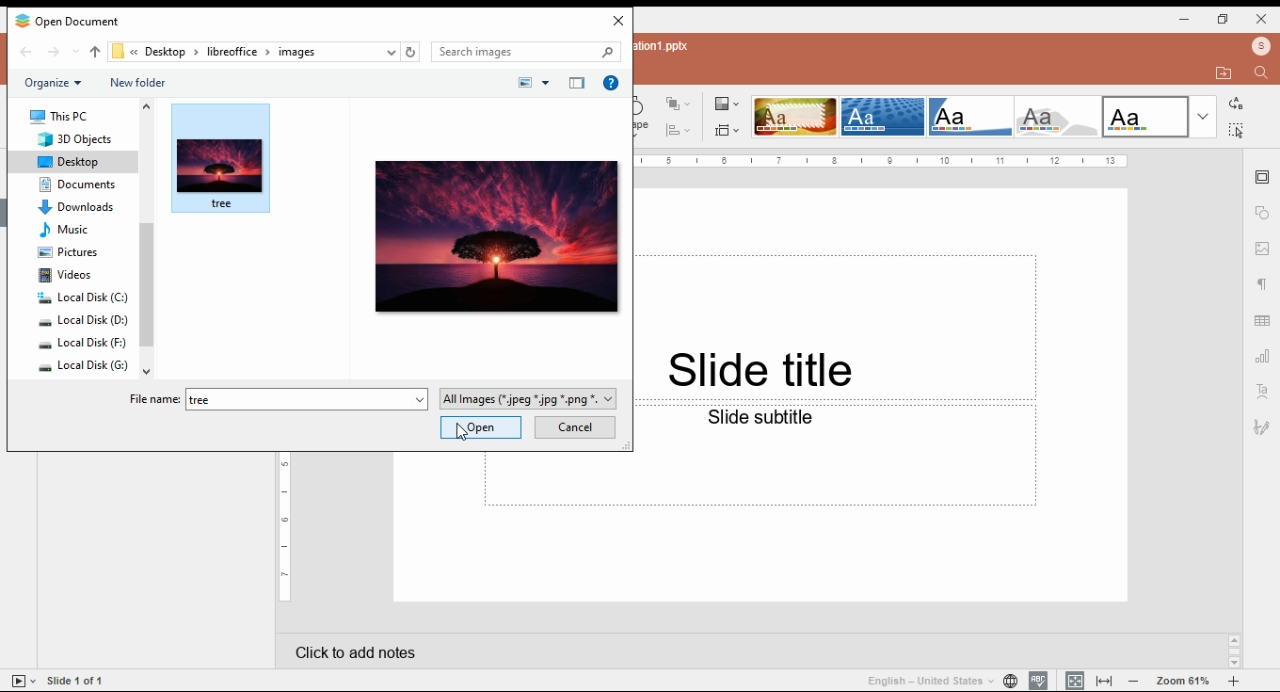 The image size is (1280, 692). What do you see at coordinates (22, 681) in the screenshot?
I see `start slideshow` at bounding box center [22, 681].